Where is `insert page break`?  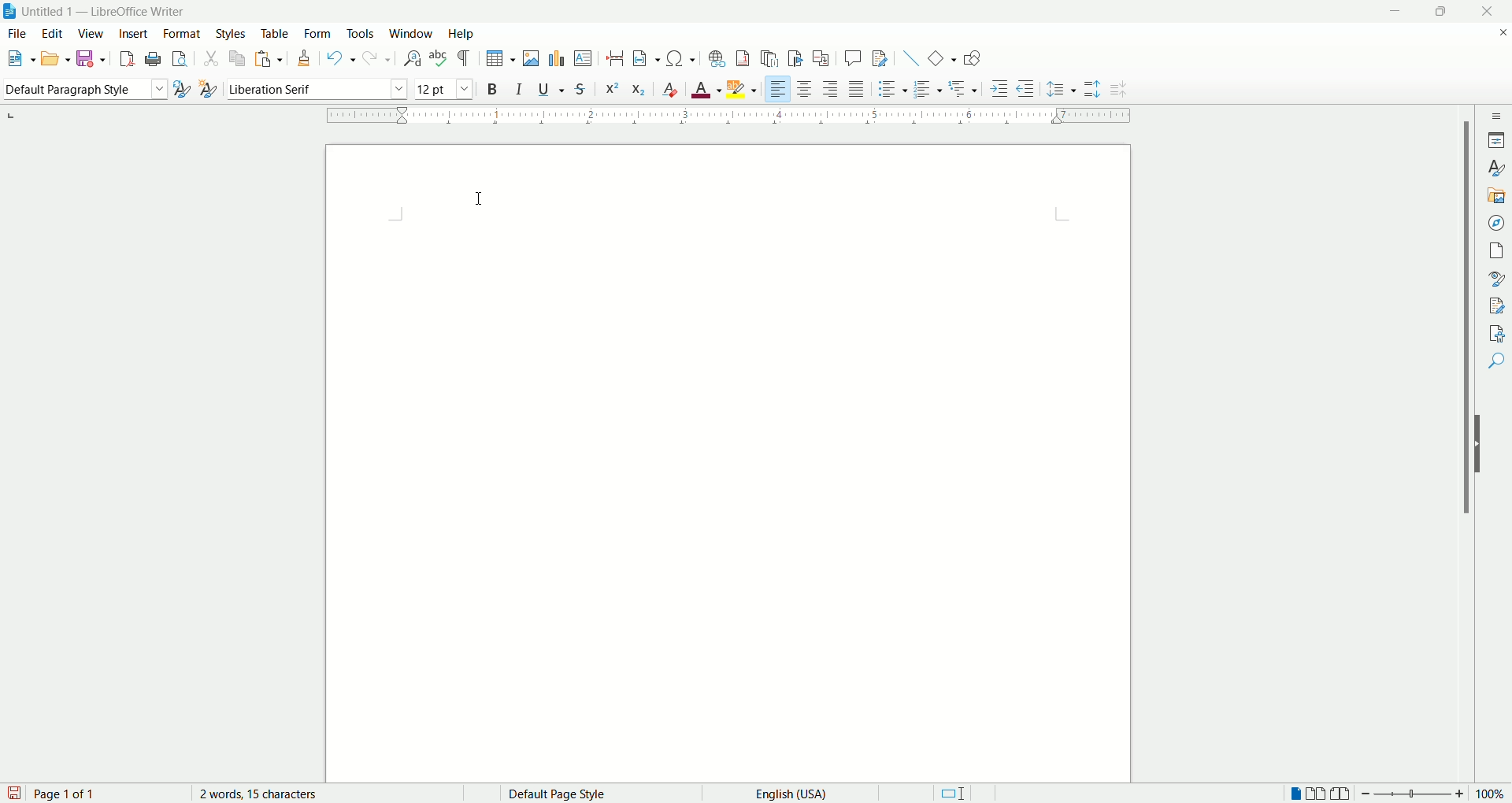
insert page break is located at coordinates (615, 57).